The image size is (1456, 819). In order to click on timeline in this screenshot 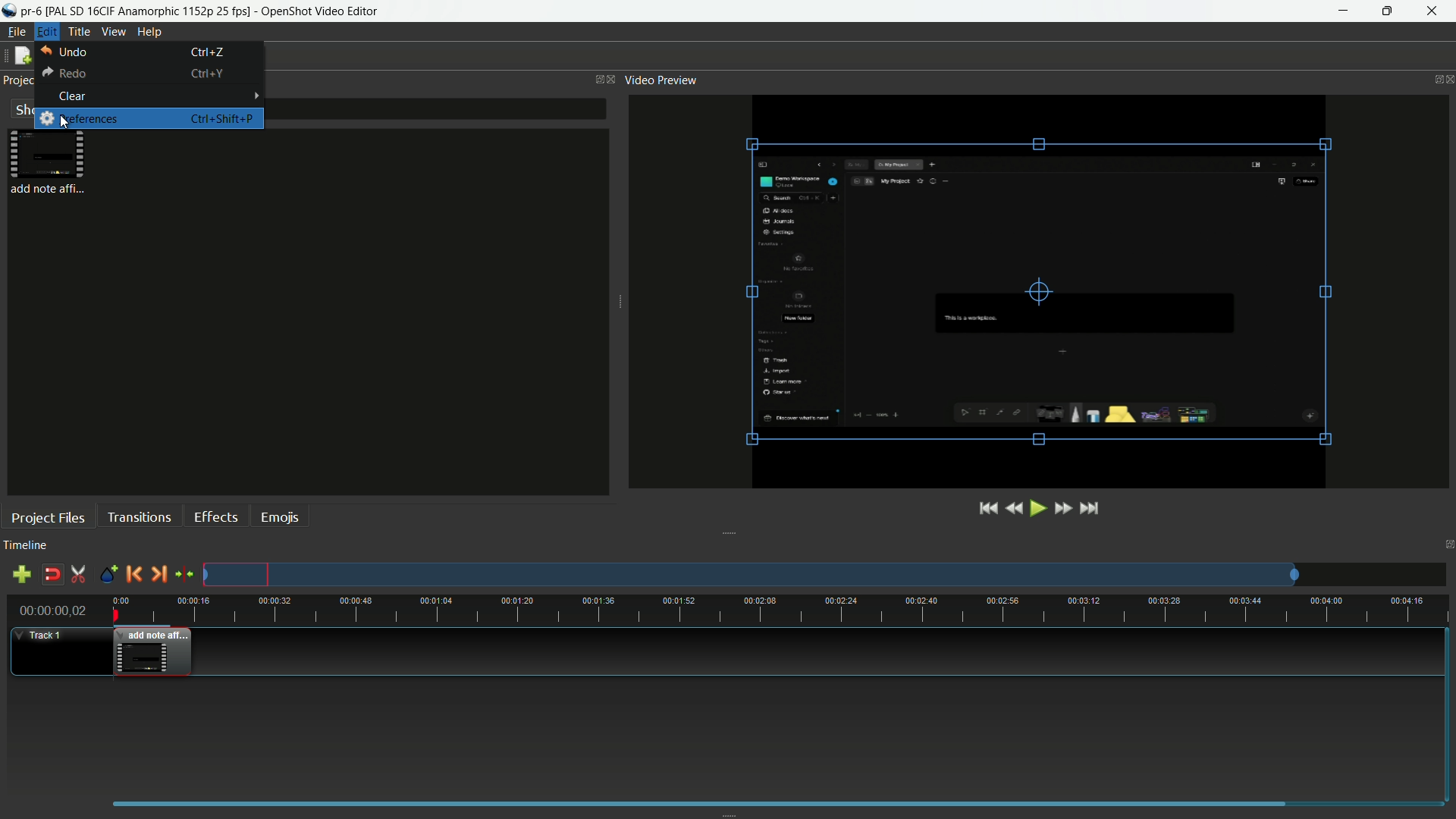, I will do `click(26, 544)`.